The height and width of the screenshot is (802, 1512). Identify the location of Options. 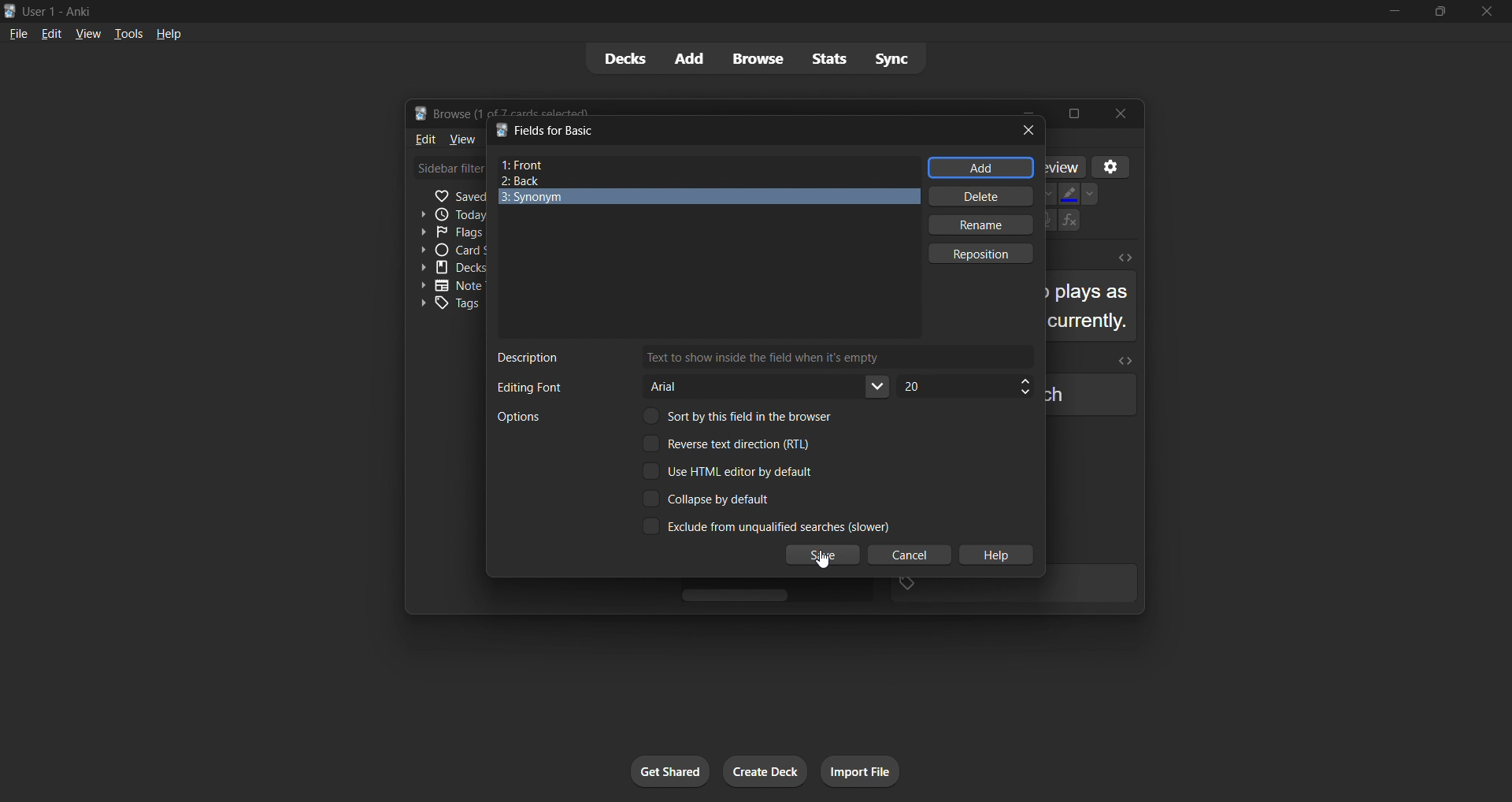
(525, 421).